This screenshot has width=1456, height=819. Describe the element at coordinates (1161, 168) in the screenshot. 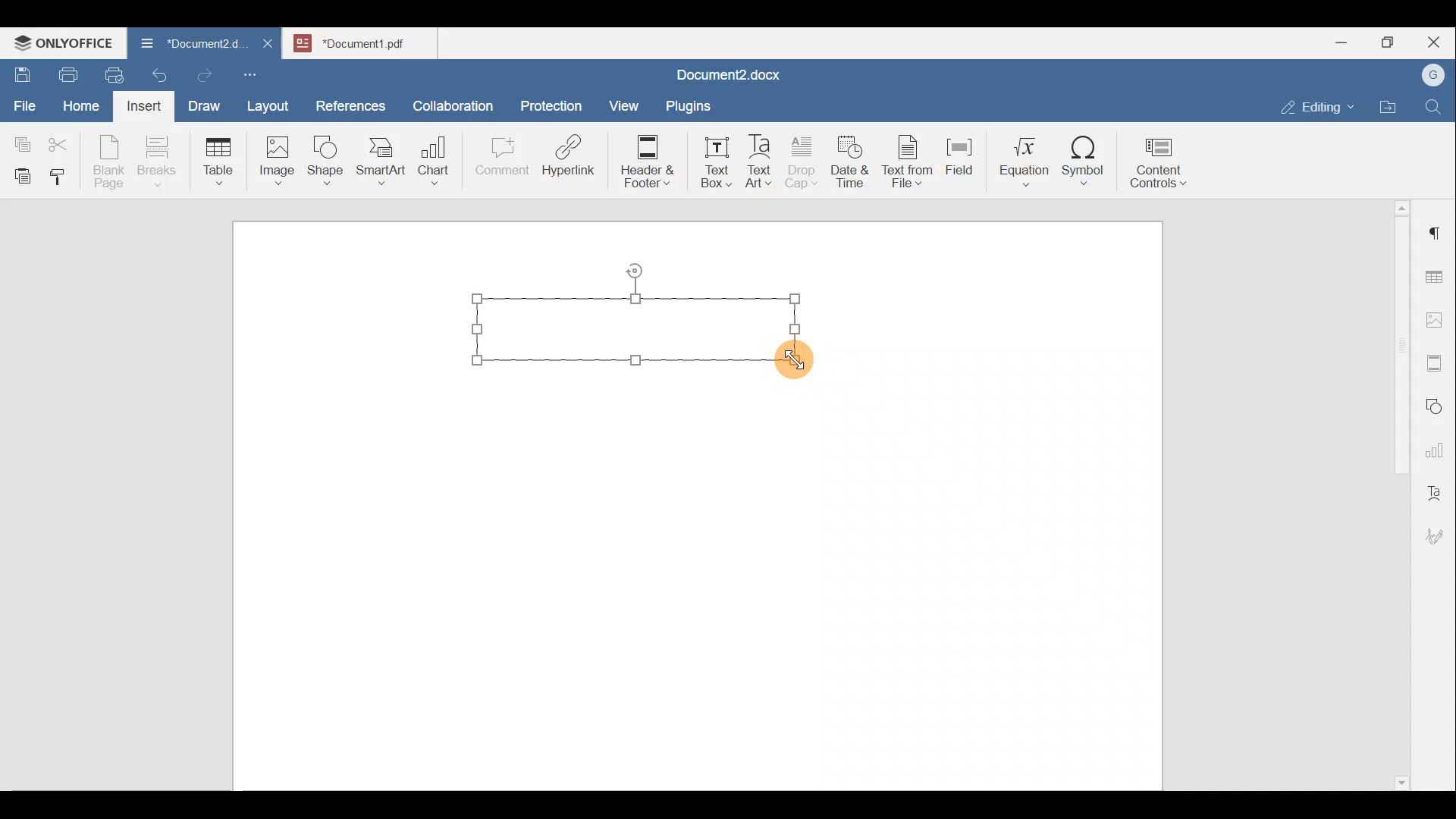

I see `Content controls` at that location.